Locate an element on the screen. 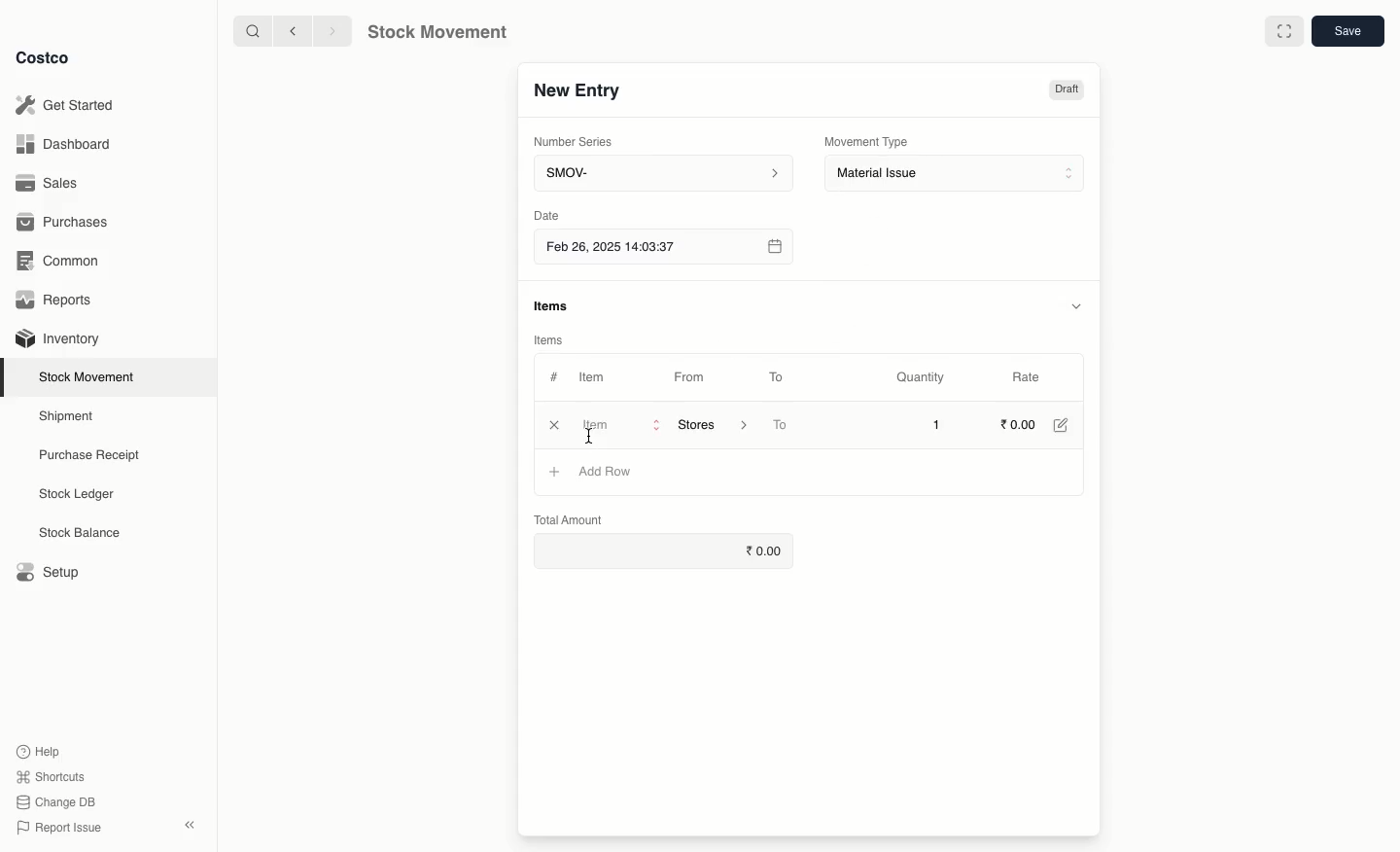 This screenshot has height=852, width=1400. Item is located at coordinates (602, 376).